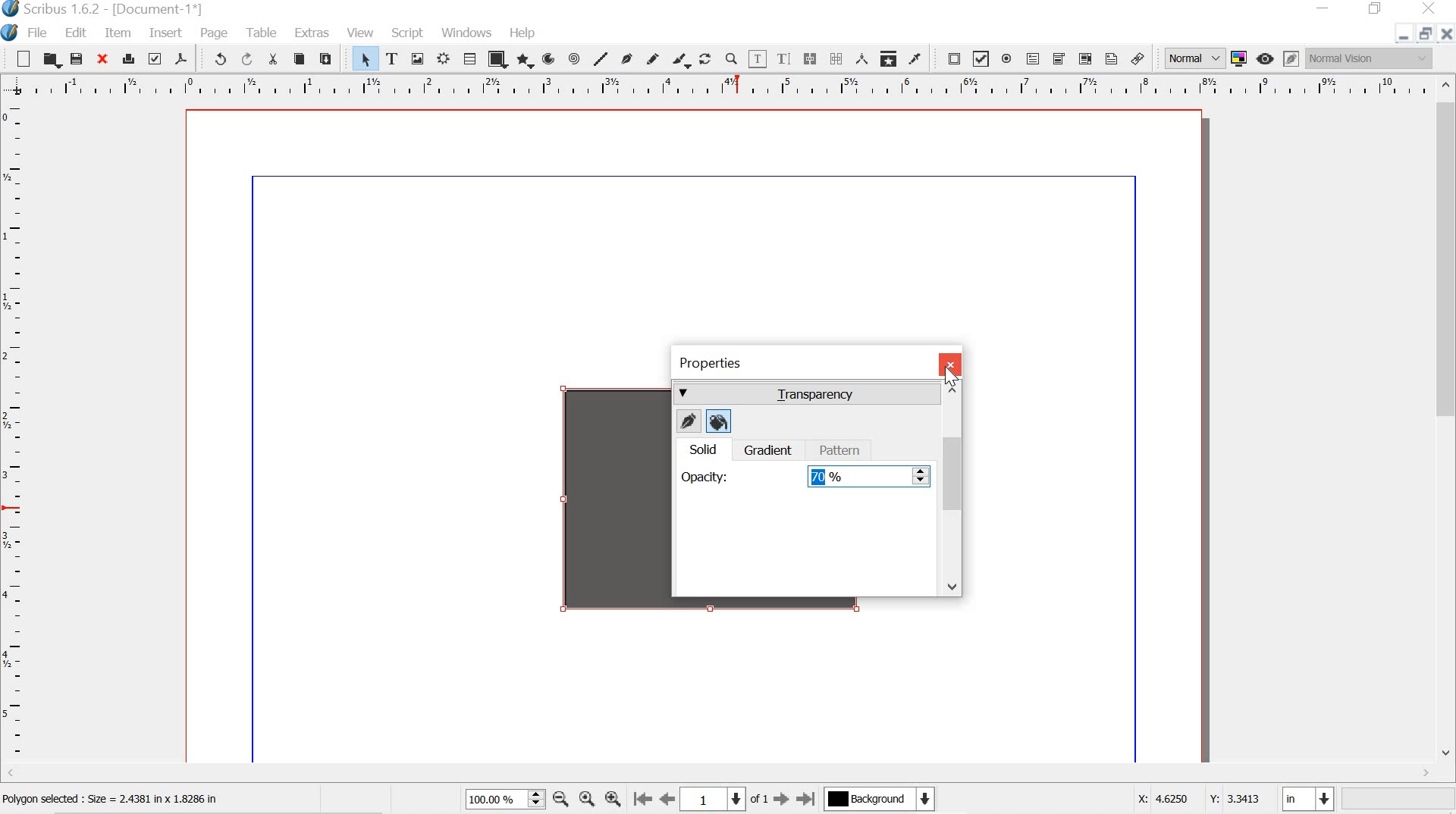 The height and width of the screenshot is (814, 1456). What do you see at coordinates (1447, 428) in the screenshot?
I see `scrollbar` at bounding box center [1447, 428].